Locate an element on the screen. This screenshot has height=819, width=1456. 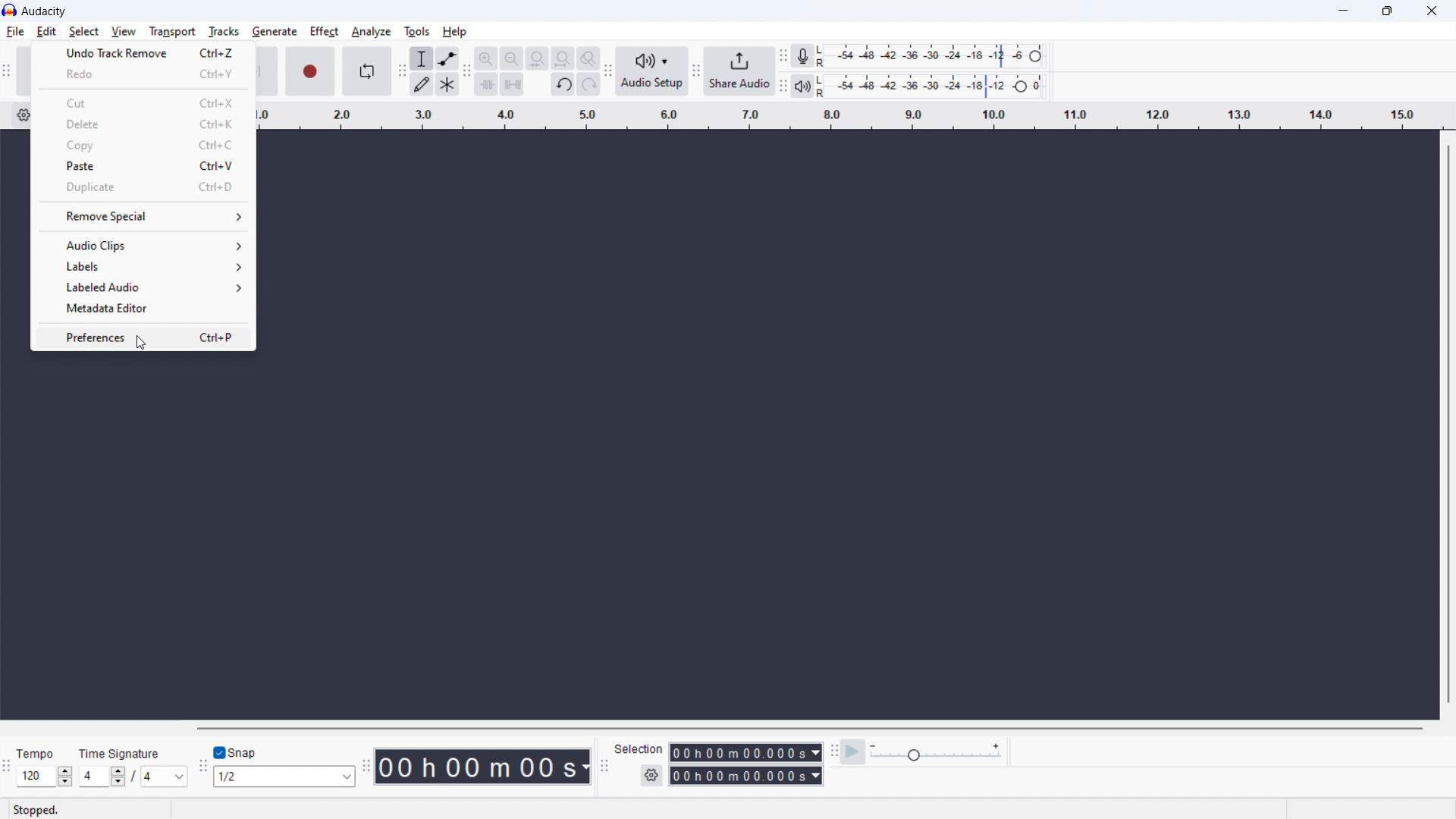
edit is located at coordinates (47, 31).